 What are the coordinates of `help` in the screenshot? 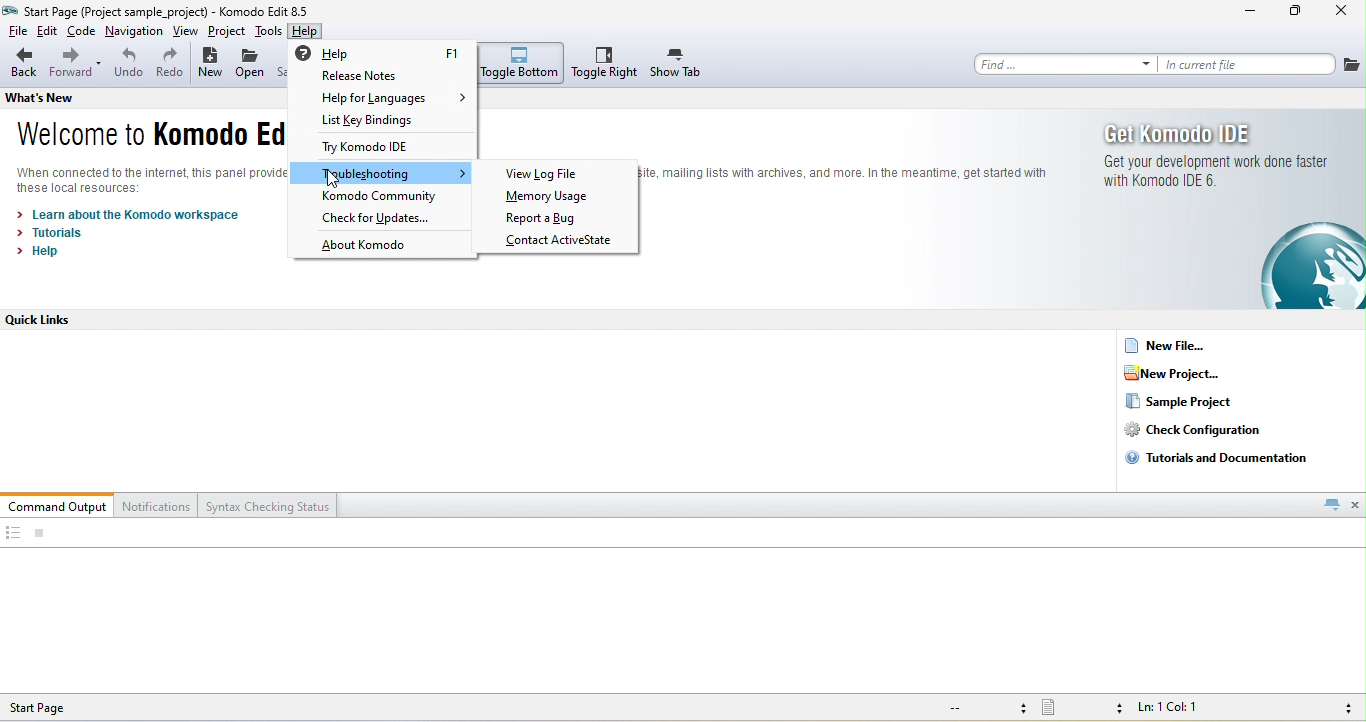 It's located at (44, 251).